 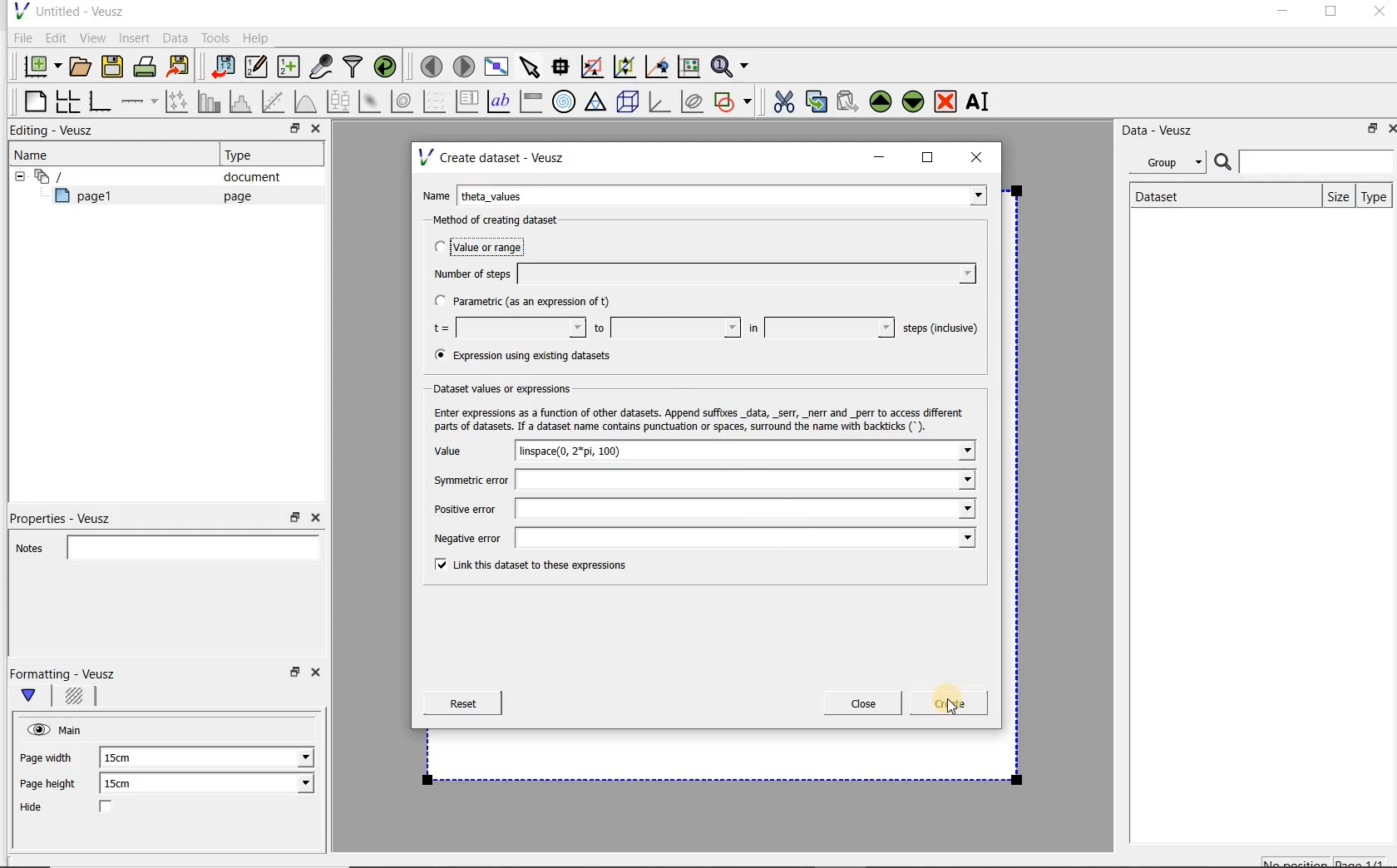 I want to click on (® Expression using existing datasets, so click(x=535, y=356).